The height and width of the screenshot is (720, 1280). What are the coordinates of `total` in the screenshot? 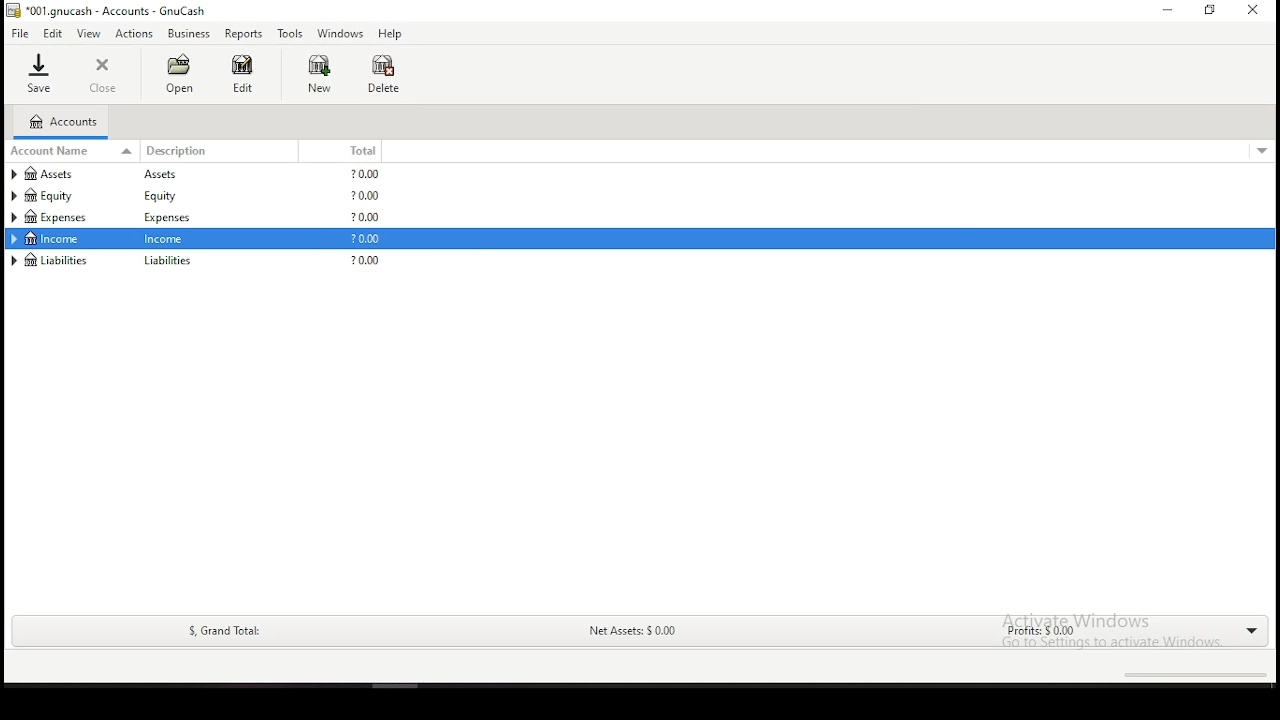 It's located at (354, 151).